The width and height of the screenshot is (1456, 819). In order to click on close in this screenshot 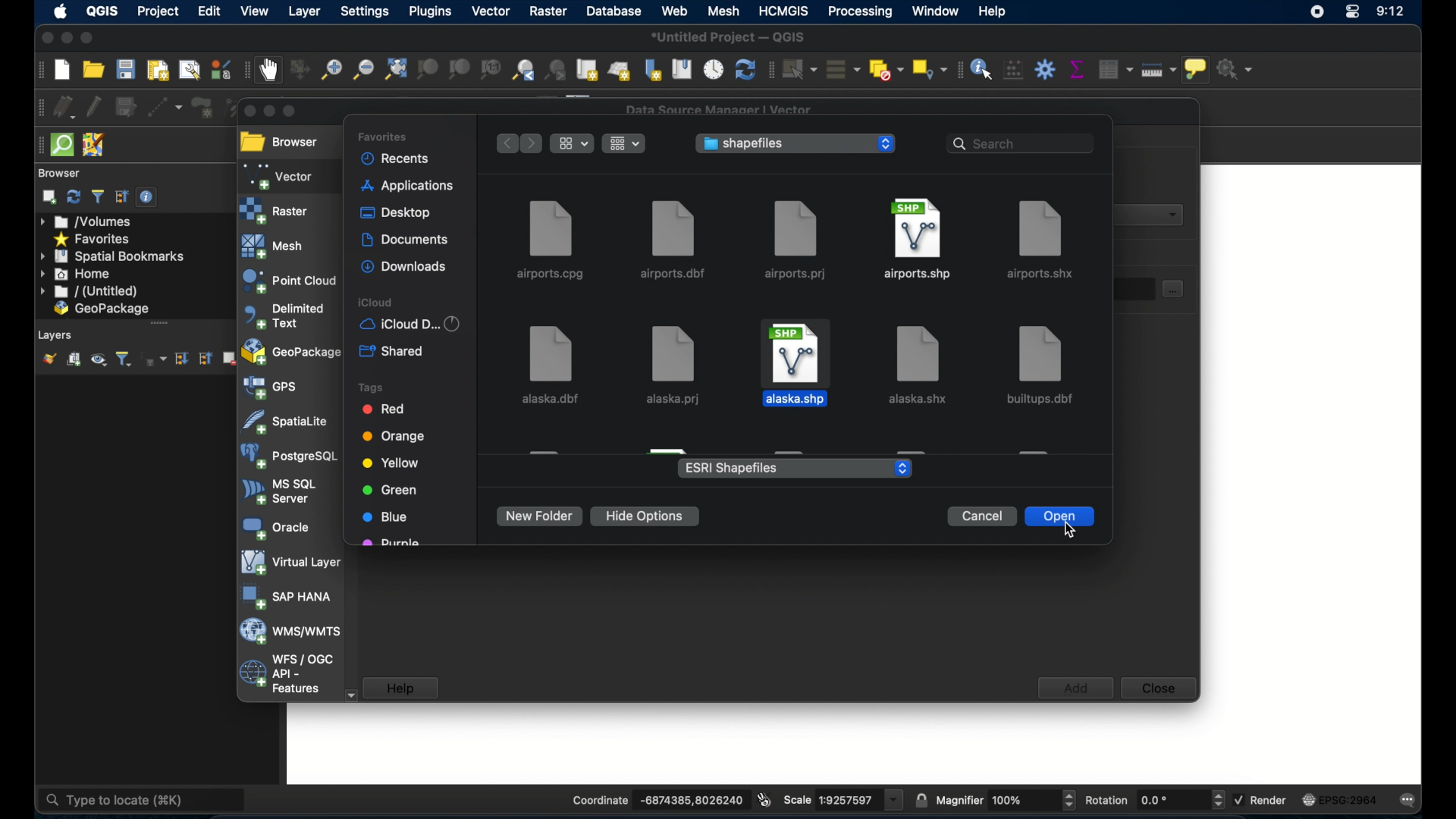, I will do `click(246, 111)`.